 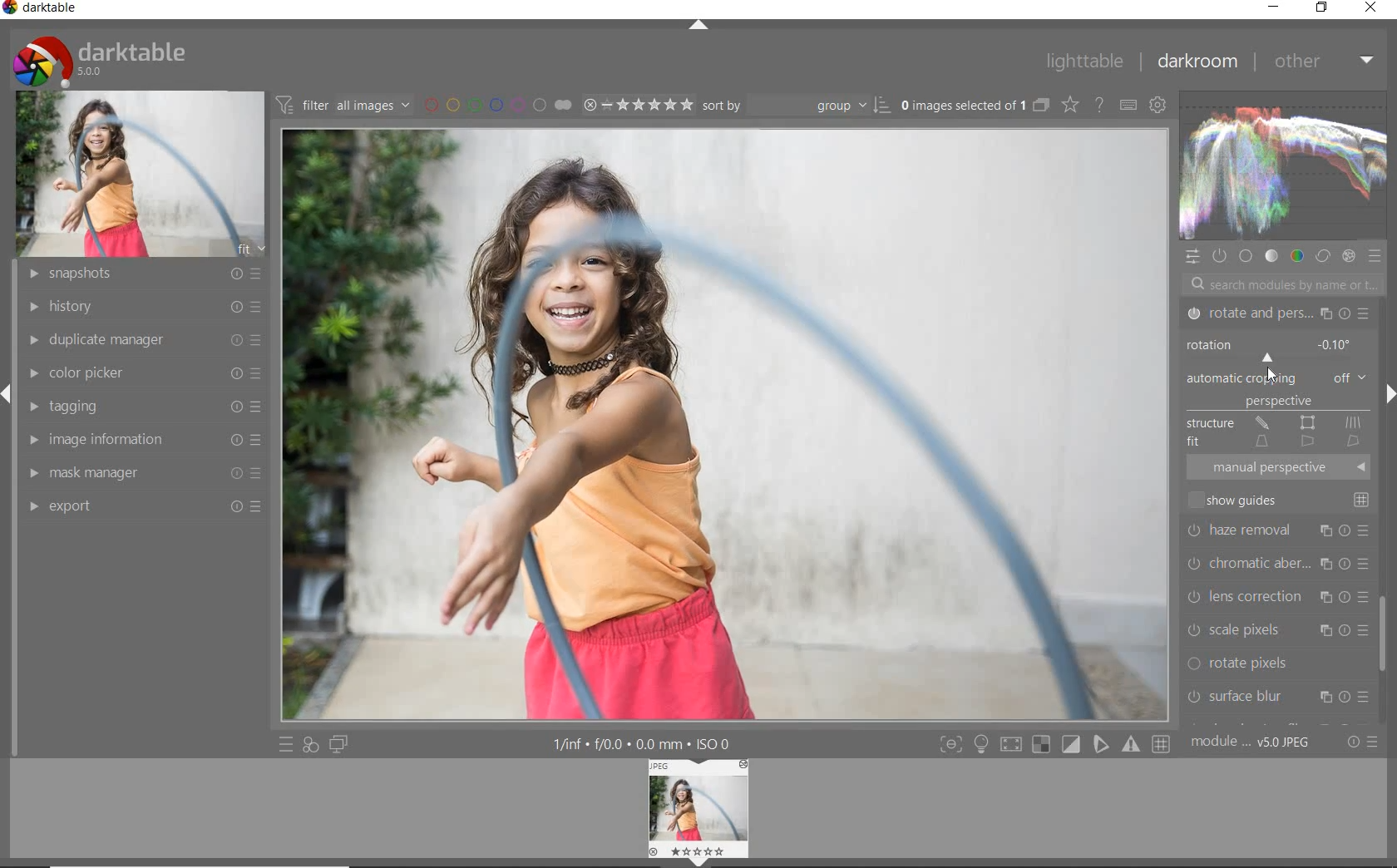 What do you see at coordinates (1276, 441) in the screenshot?
I see `FIT` at bounding box center [1276, 441].